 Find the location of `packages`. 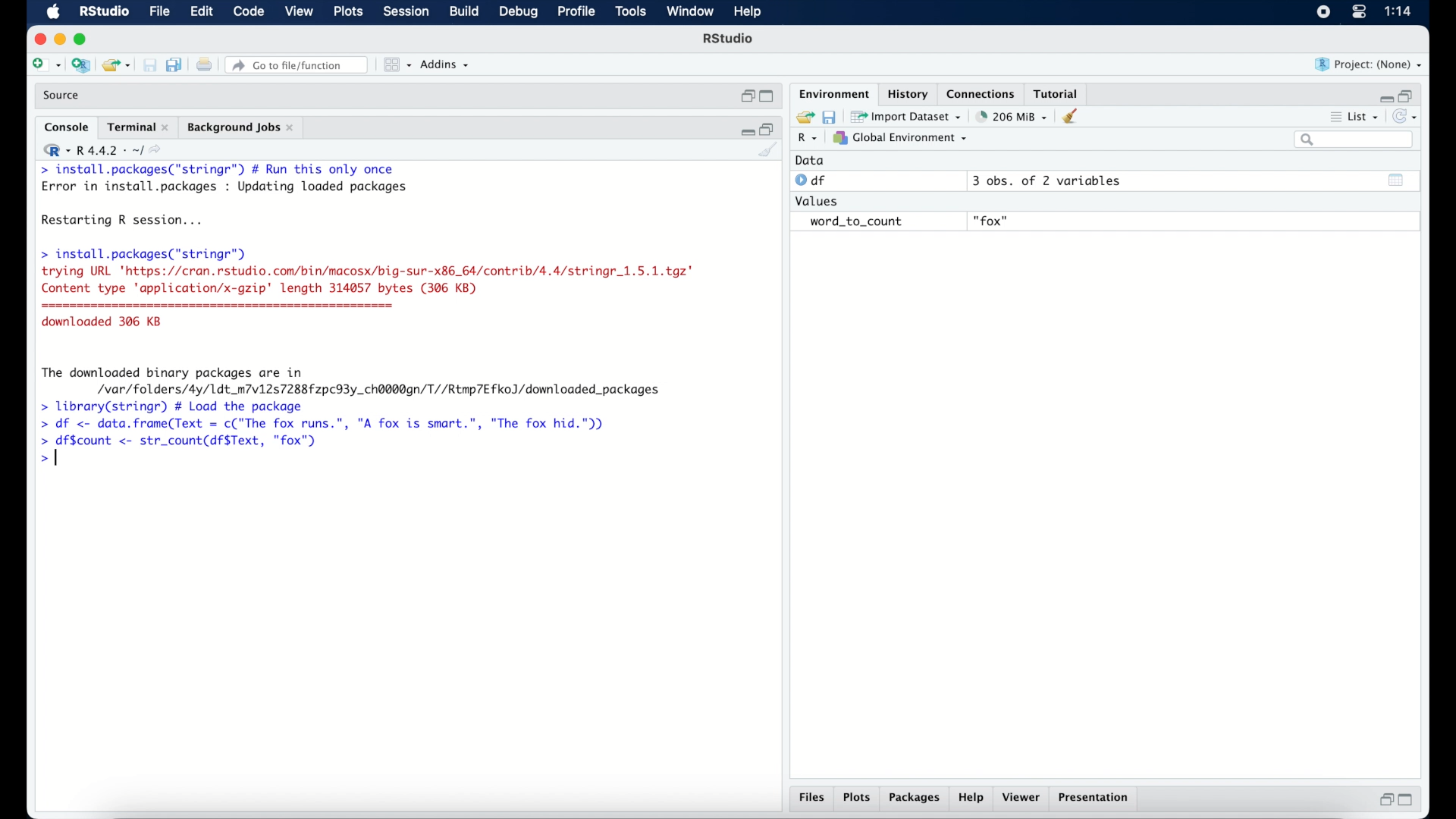

packages is located at coordinates (915, 799).